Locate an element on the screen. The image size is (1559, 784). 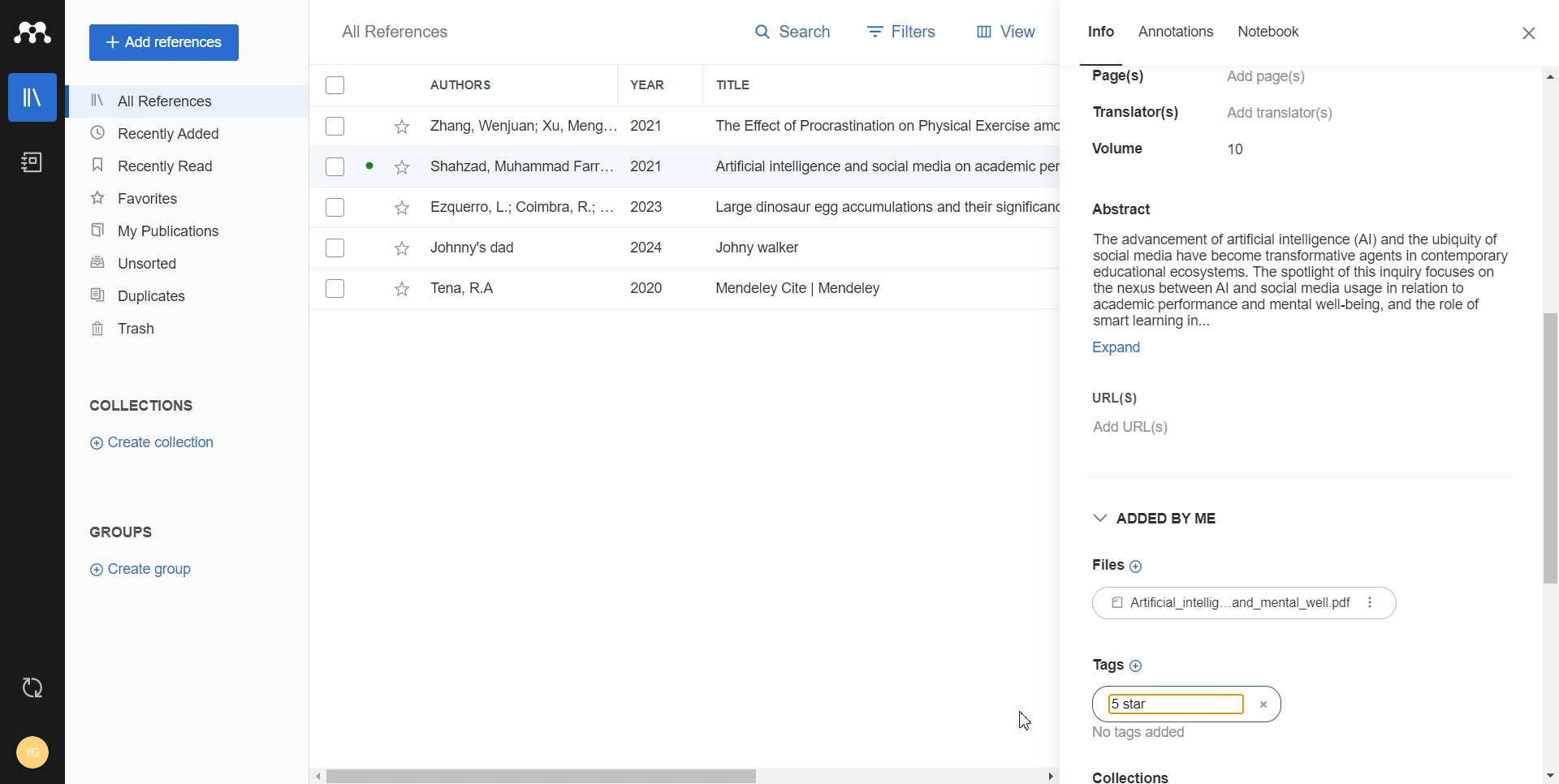
Recently Added is located at coordinates (184, 134).